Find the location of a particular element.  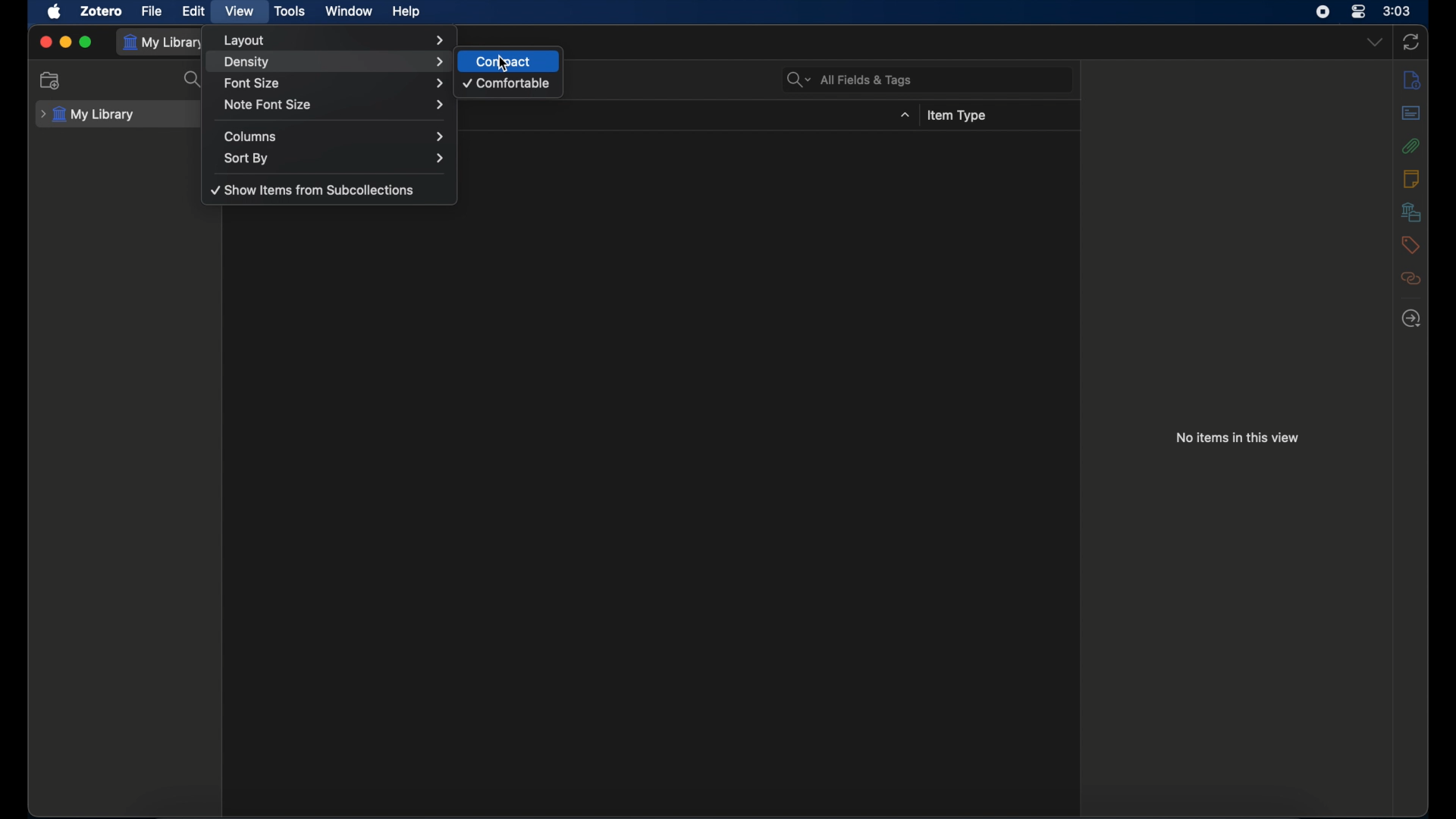

columns is located at coordinates (335, 136).